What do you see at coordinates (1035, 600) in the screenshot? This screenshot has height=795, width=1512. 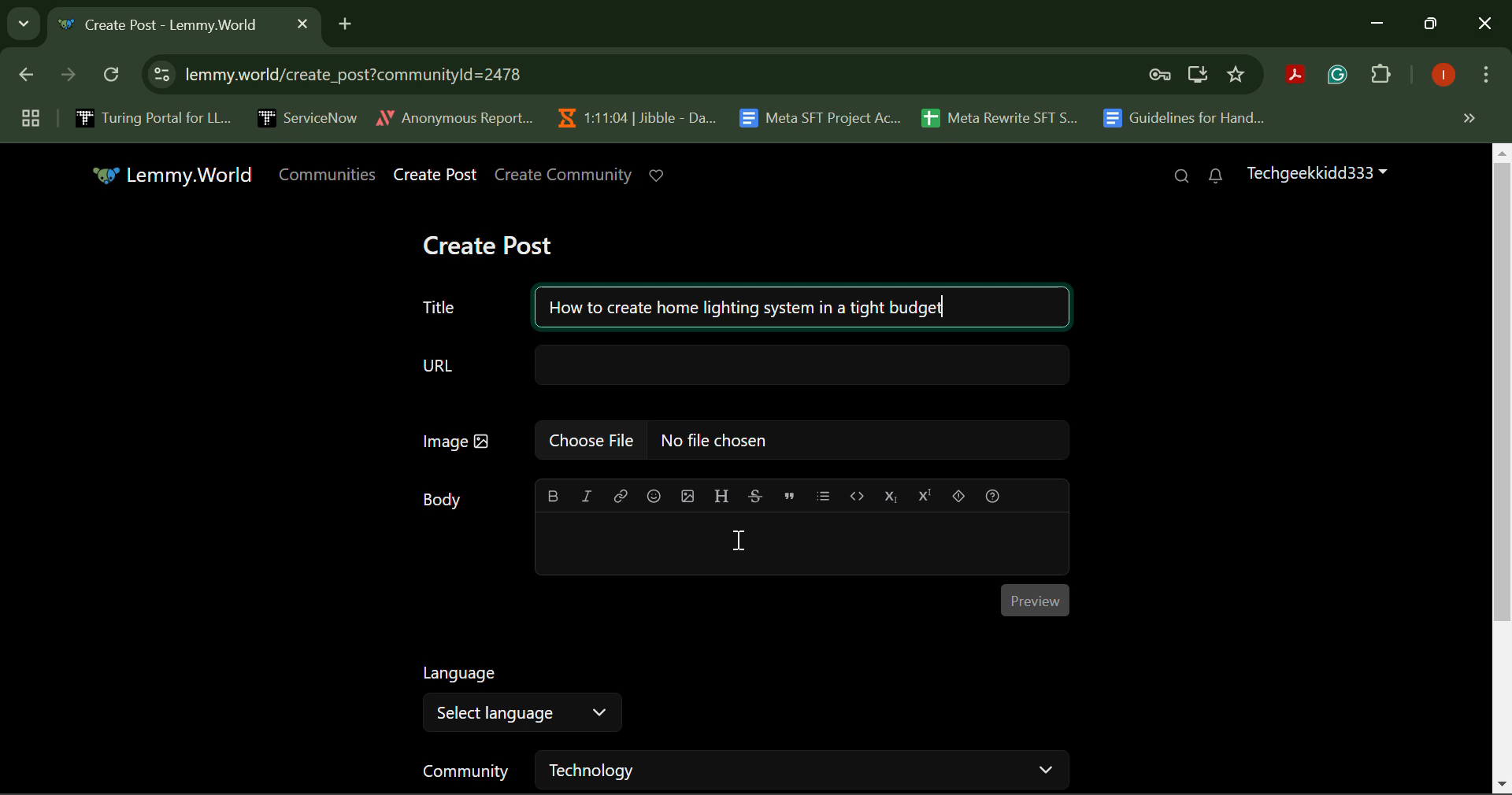 I see `Preview Button` at bounding box center [1035, 600].